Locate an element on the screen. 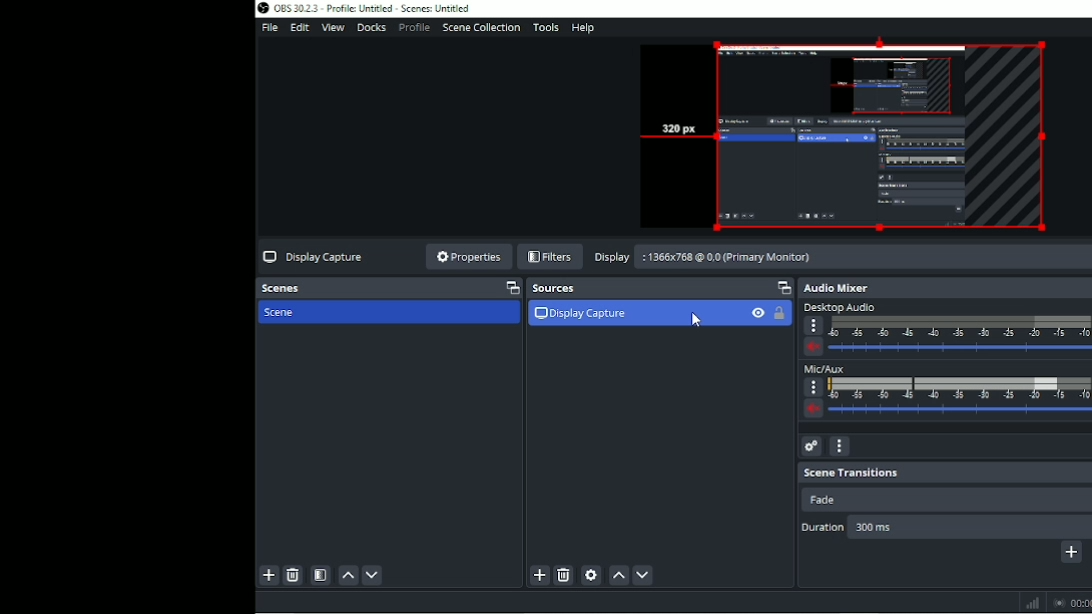 Image resolution: width=1092 pixels, height=614 pixels. Move scene up is located at coordinates (347, 575).